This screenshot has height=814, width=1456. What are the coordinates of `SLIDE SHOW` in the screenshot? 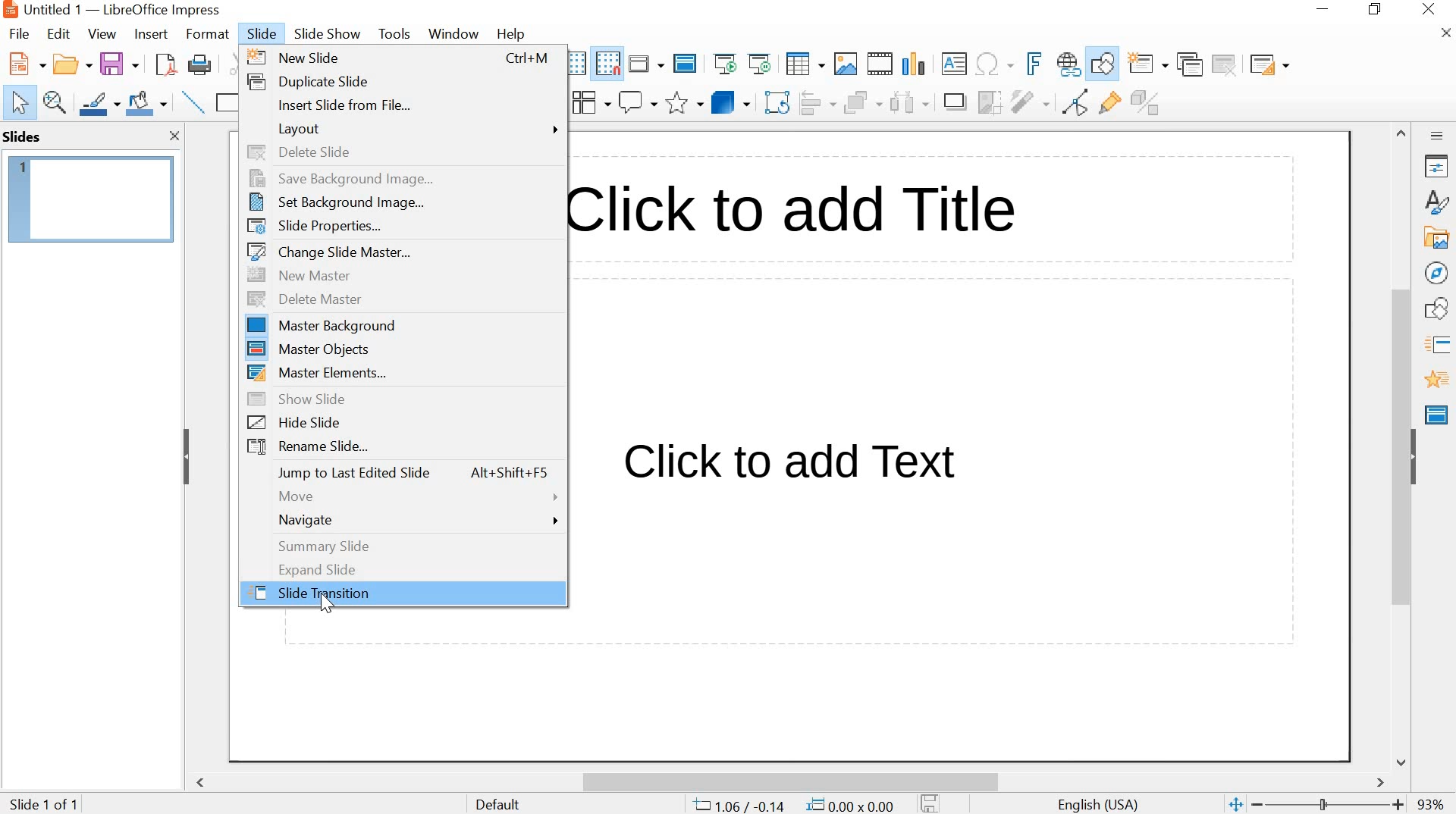 It's located at (327, 35).